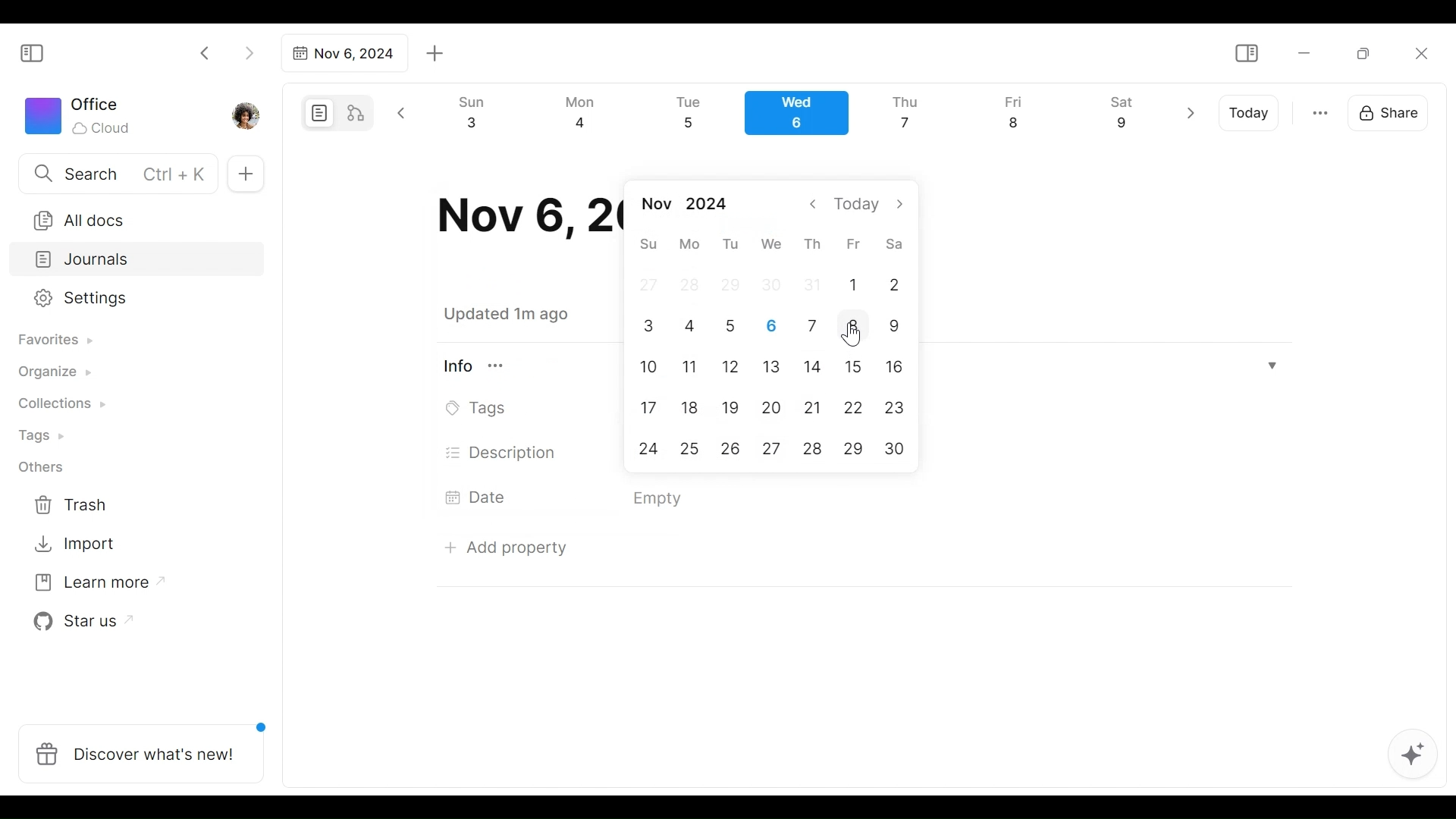 This screenshot has height=819, width=1456. Describe the element at coordinates (1304, 52) in the screenshot. I see `Minimize` at that location.